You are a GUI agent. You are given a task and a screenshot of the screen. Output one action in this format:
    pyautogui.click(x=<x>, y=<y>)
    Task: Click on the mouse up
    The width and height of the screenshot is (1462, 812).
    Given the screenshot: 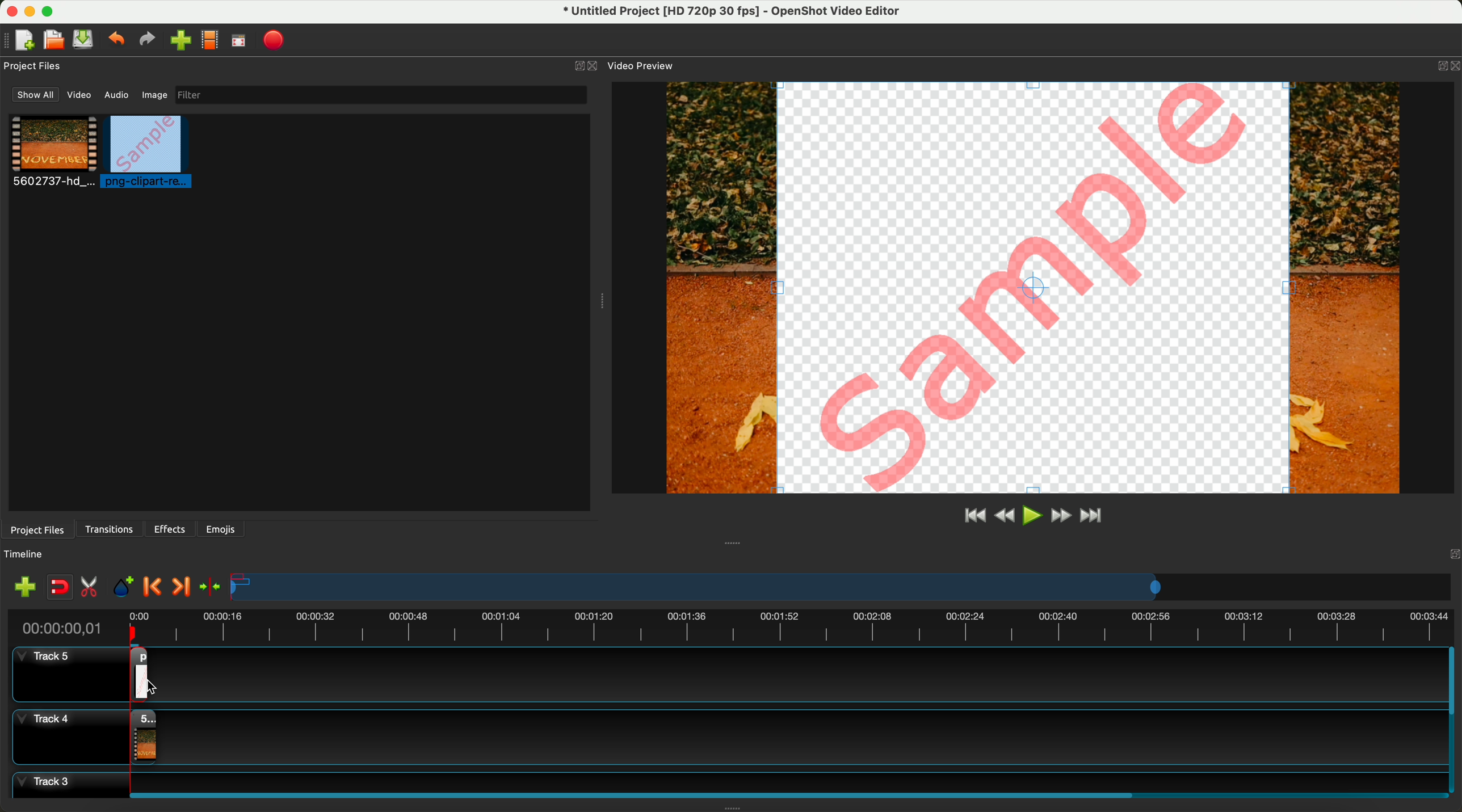 What is the action you would take?
    pyautogui.click(x=153, y=687)
    